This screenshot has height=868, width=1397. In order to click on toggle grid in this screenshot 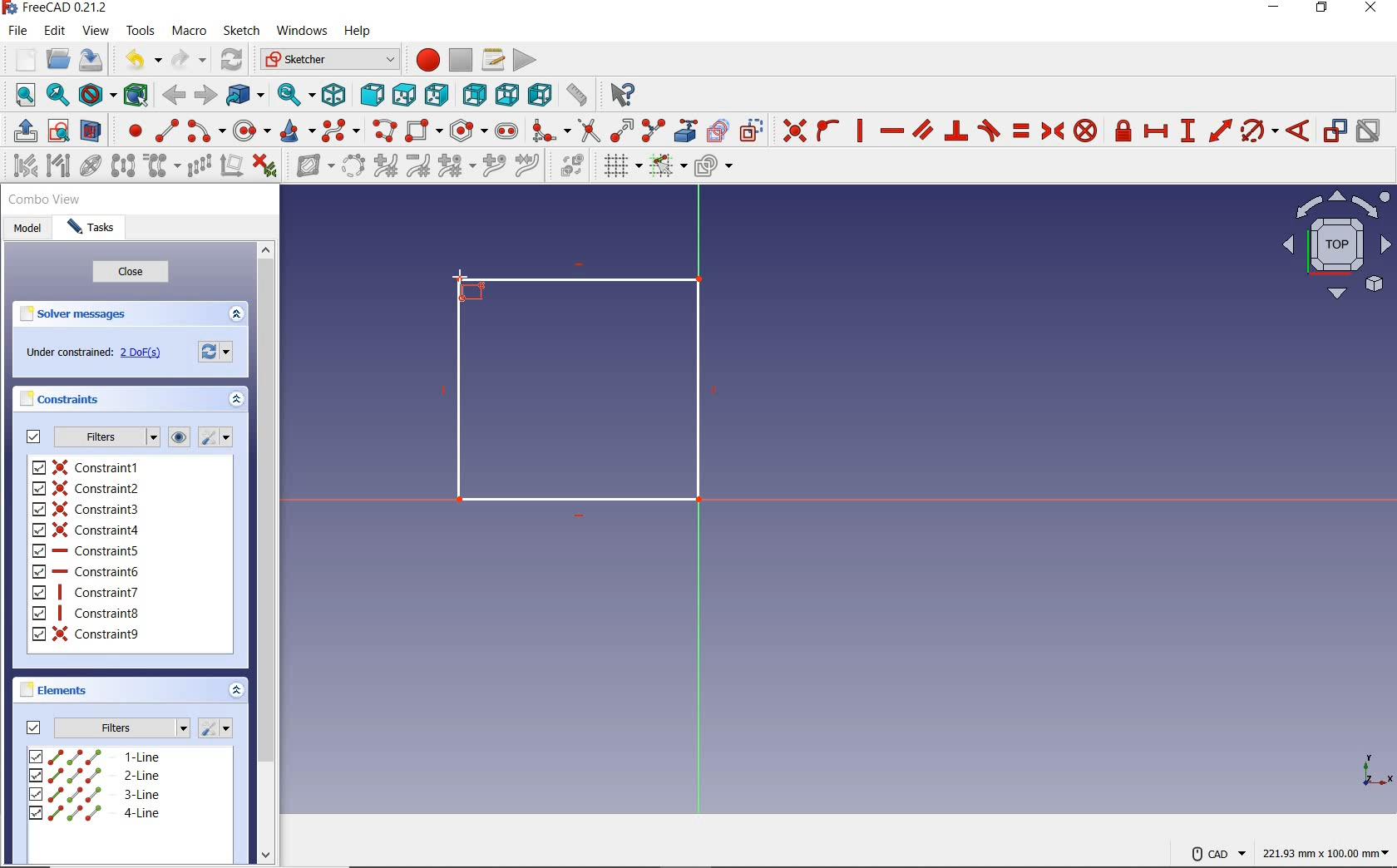, I will do `click(621, 167)`.